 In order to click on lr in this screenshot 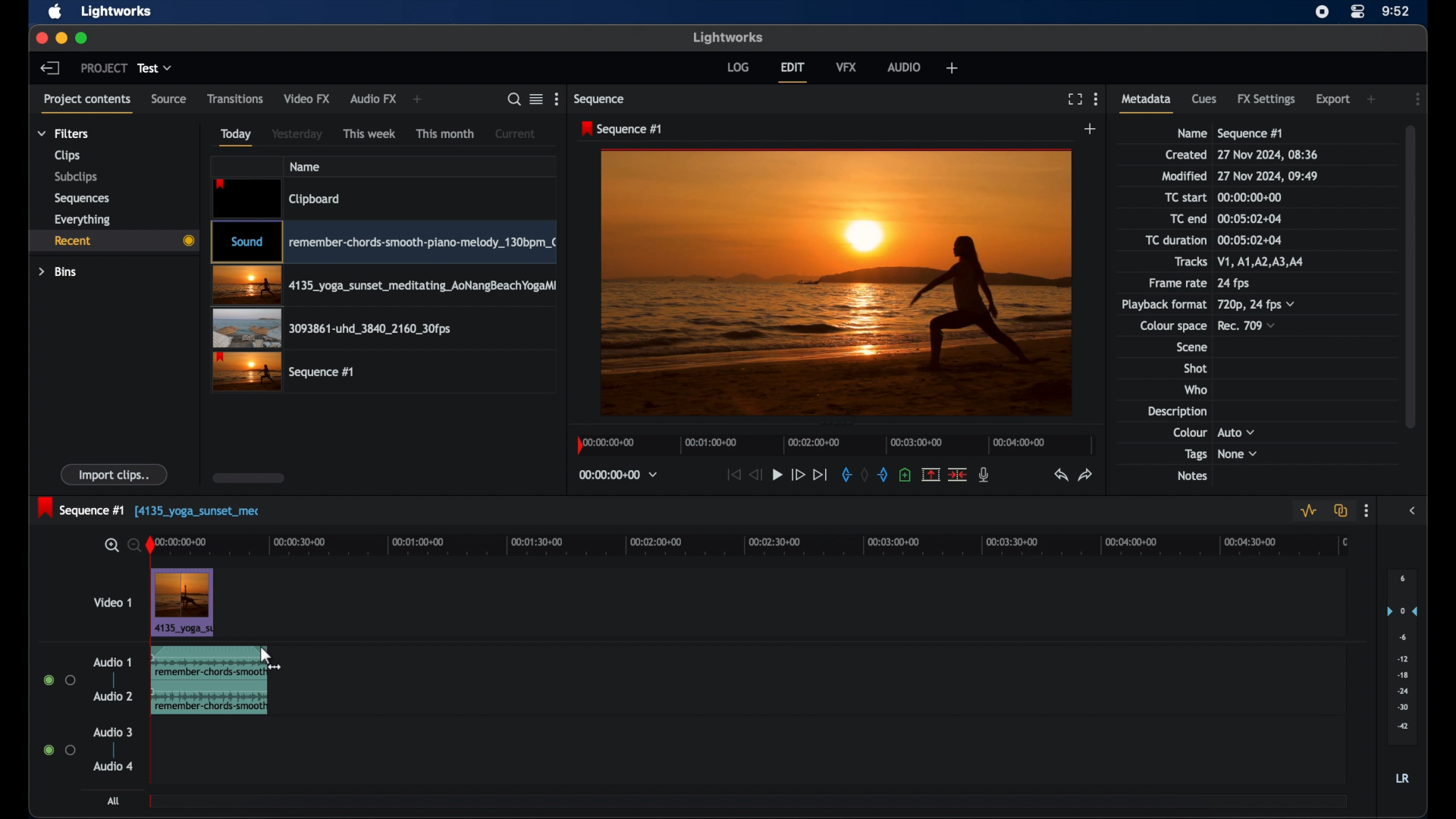, I will do `click(1402, 778)`.